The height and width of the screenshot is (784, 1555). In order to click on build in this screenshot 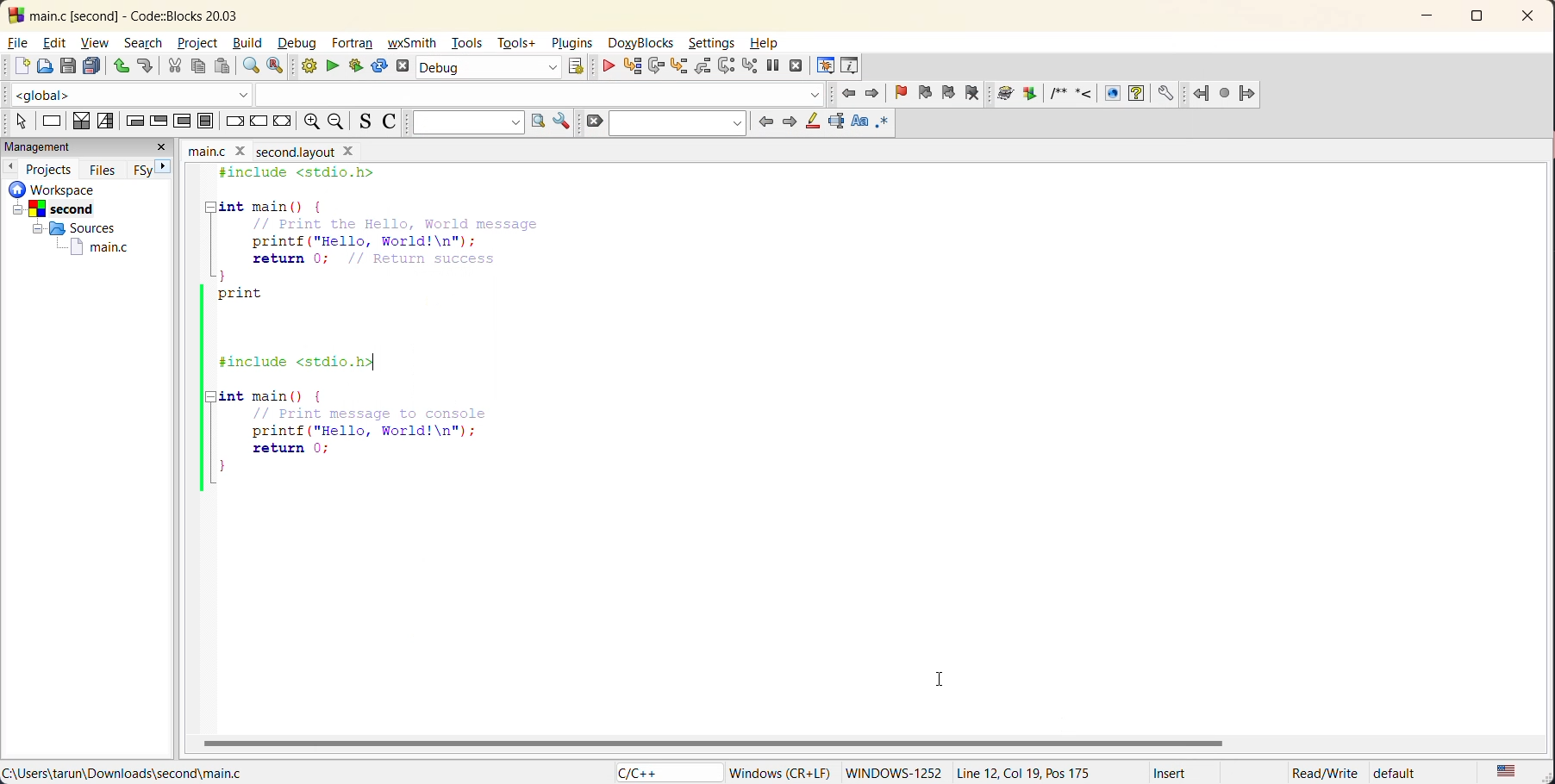, I will do `click(250, 45)`.